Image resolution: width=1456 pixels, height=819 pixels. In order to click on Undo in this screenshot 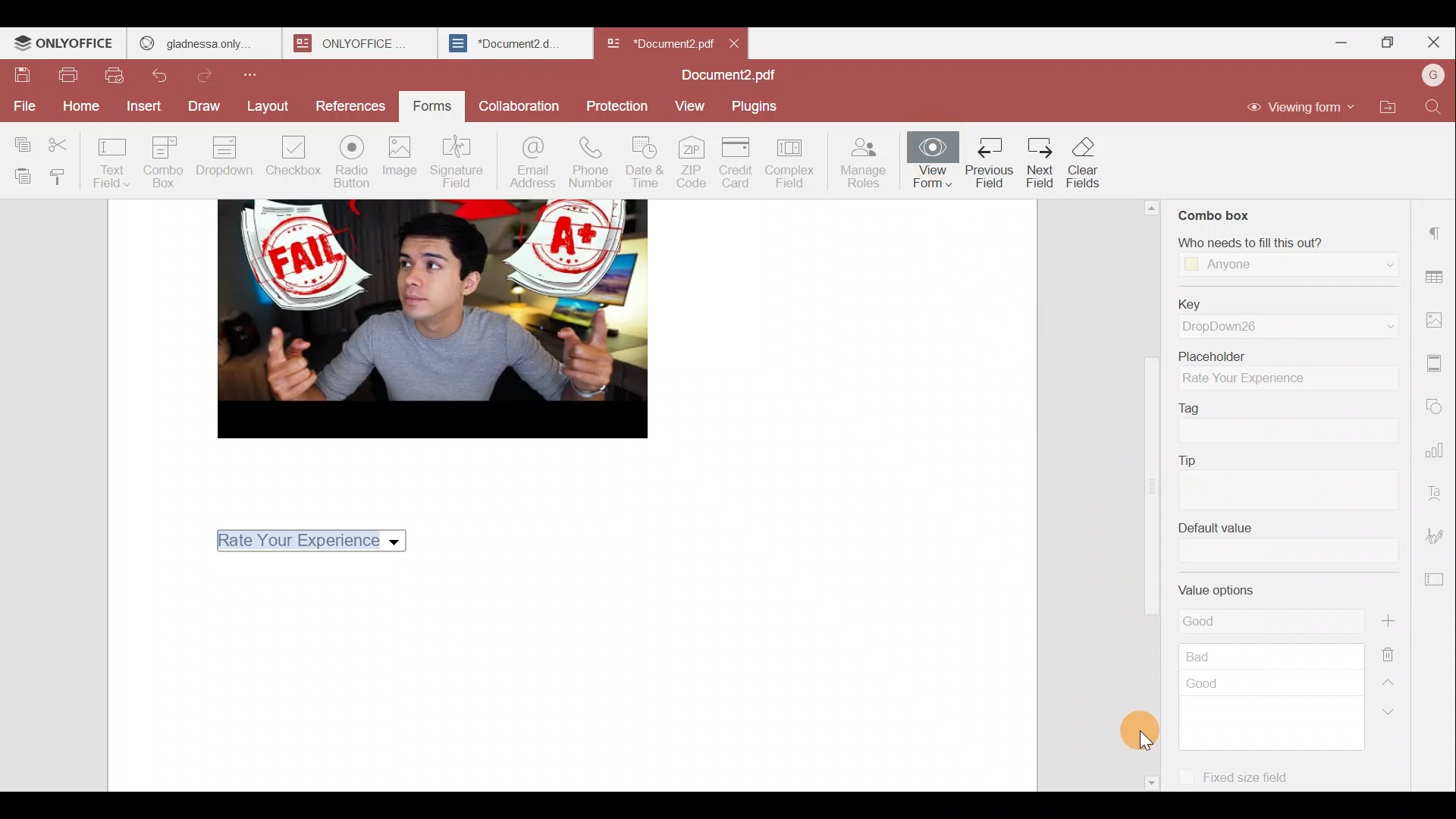, I will do `click(164, 75)`.